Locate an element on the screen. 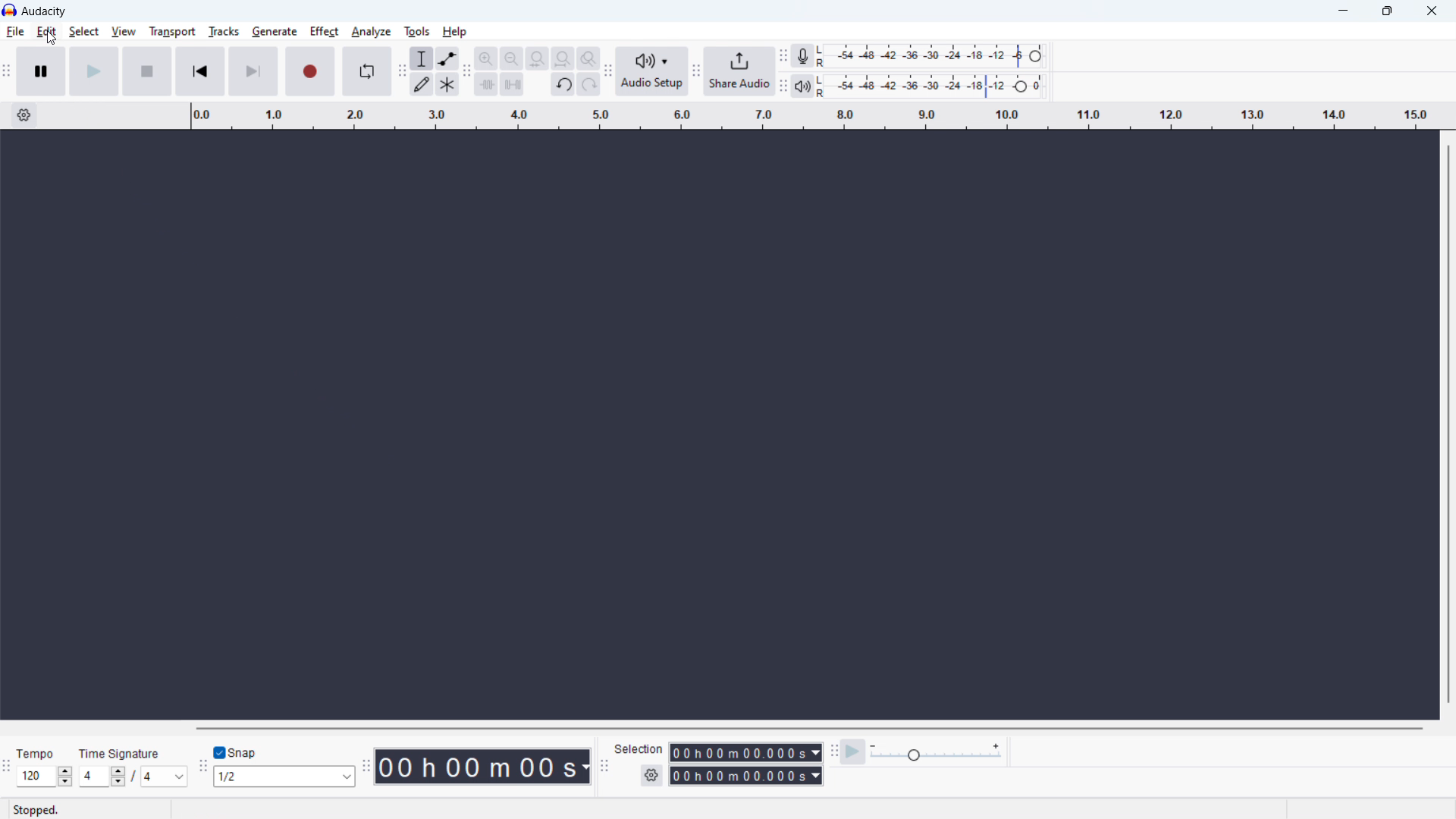 The image size is (1456, 819). undo is located at coordinates (563, 83).